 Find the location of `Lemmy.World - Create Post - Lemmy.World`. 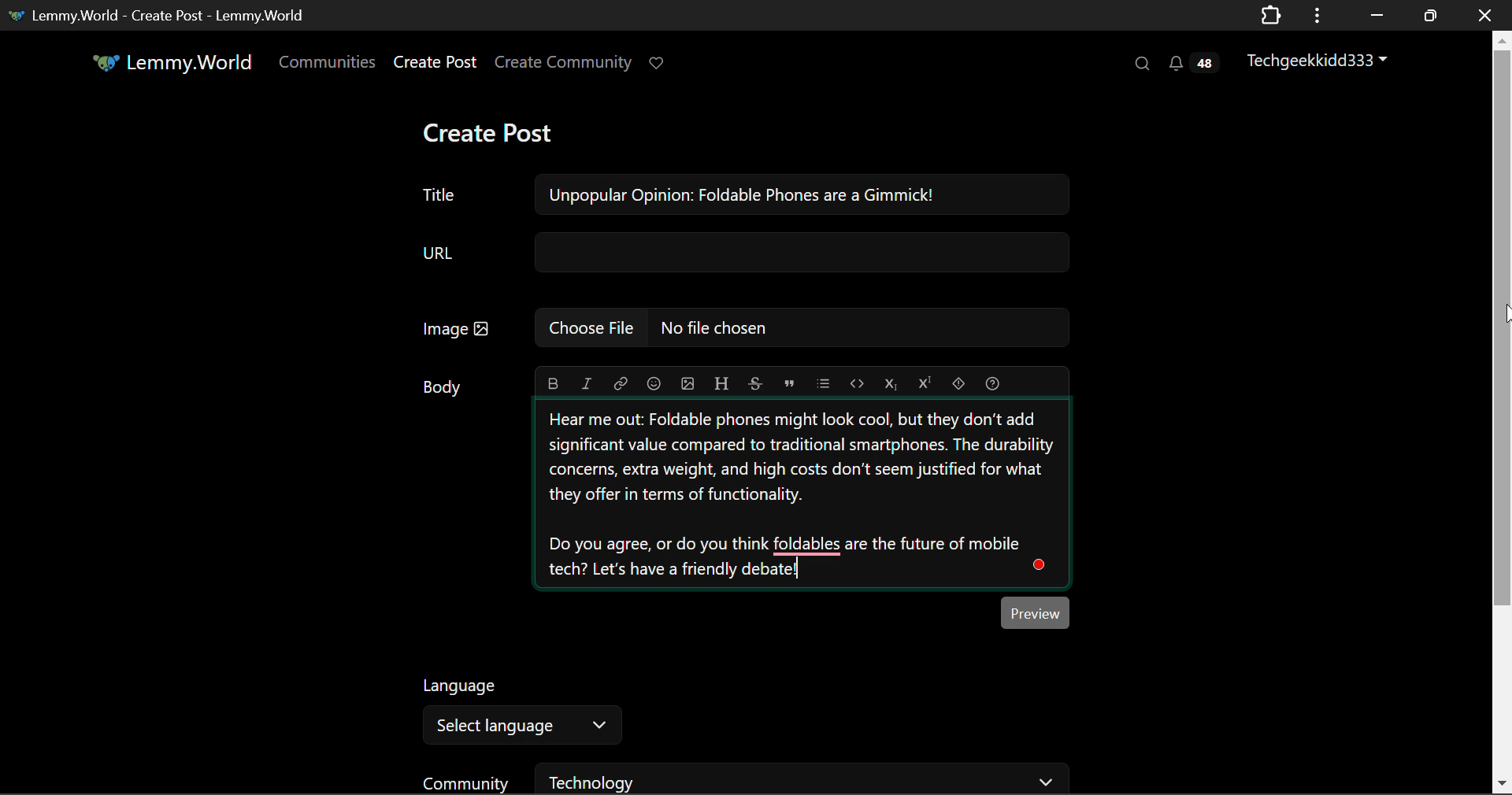

Lemmy.World - Create Post - Lemmy.World is located at coordinates (160, 14).